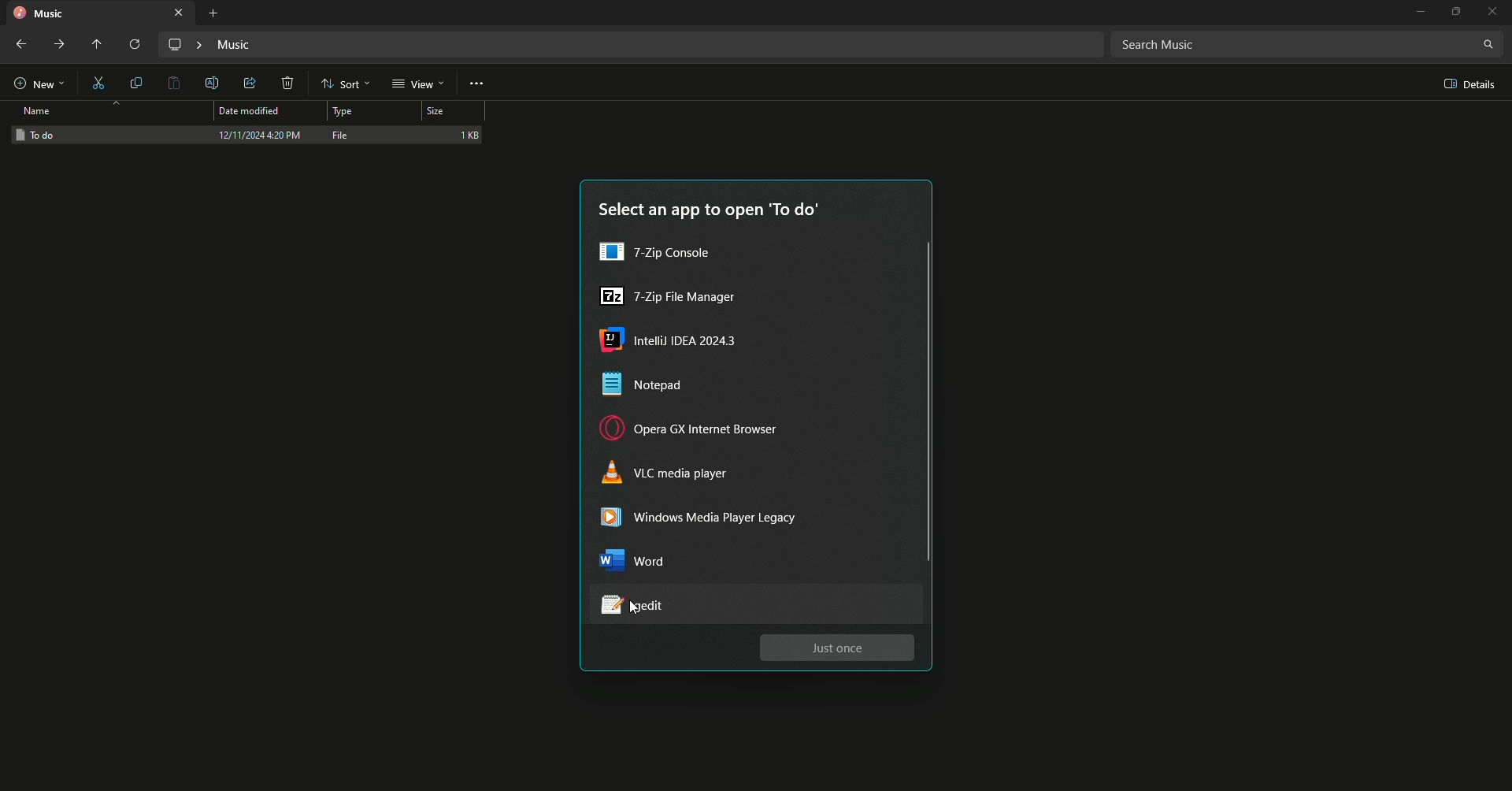 The height and width of the screenshot is (791, 1512). I want to click on Share, so click(254, 84).